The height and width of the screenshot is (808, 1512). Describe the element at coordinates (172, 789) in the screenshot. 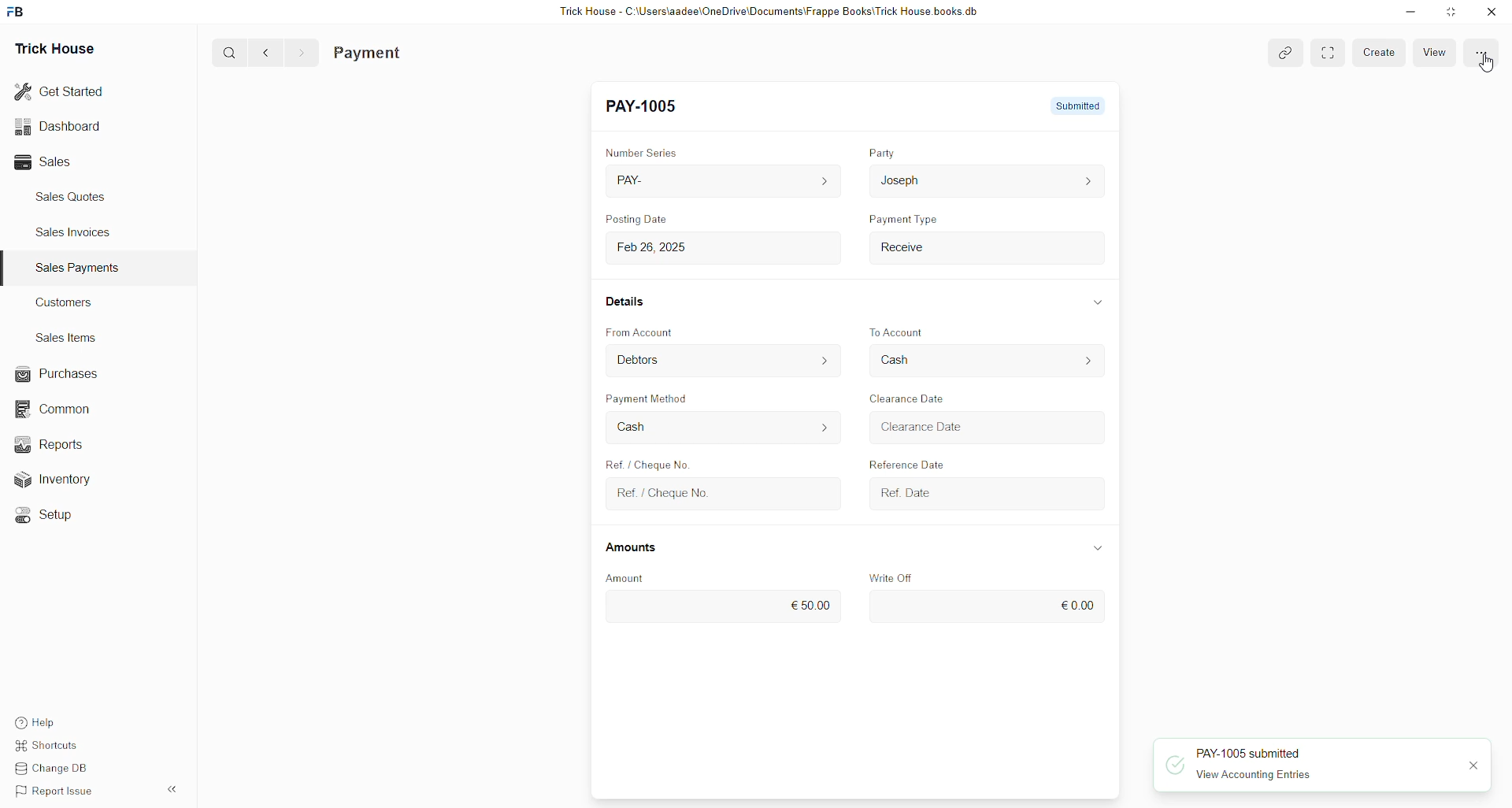

I see `Hide sidebar` at that location.